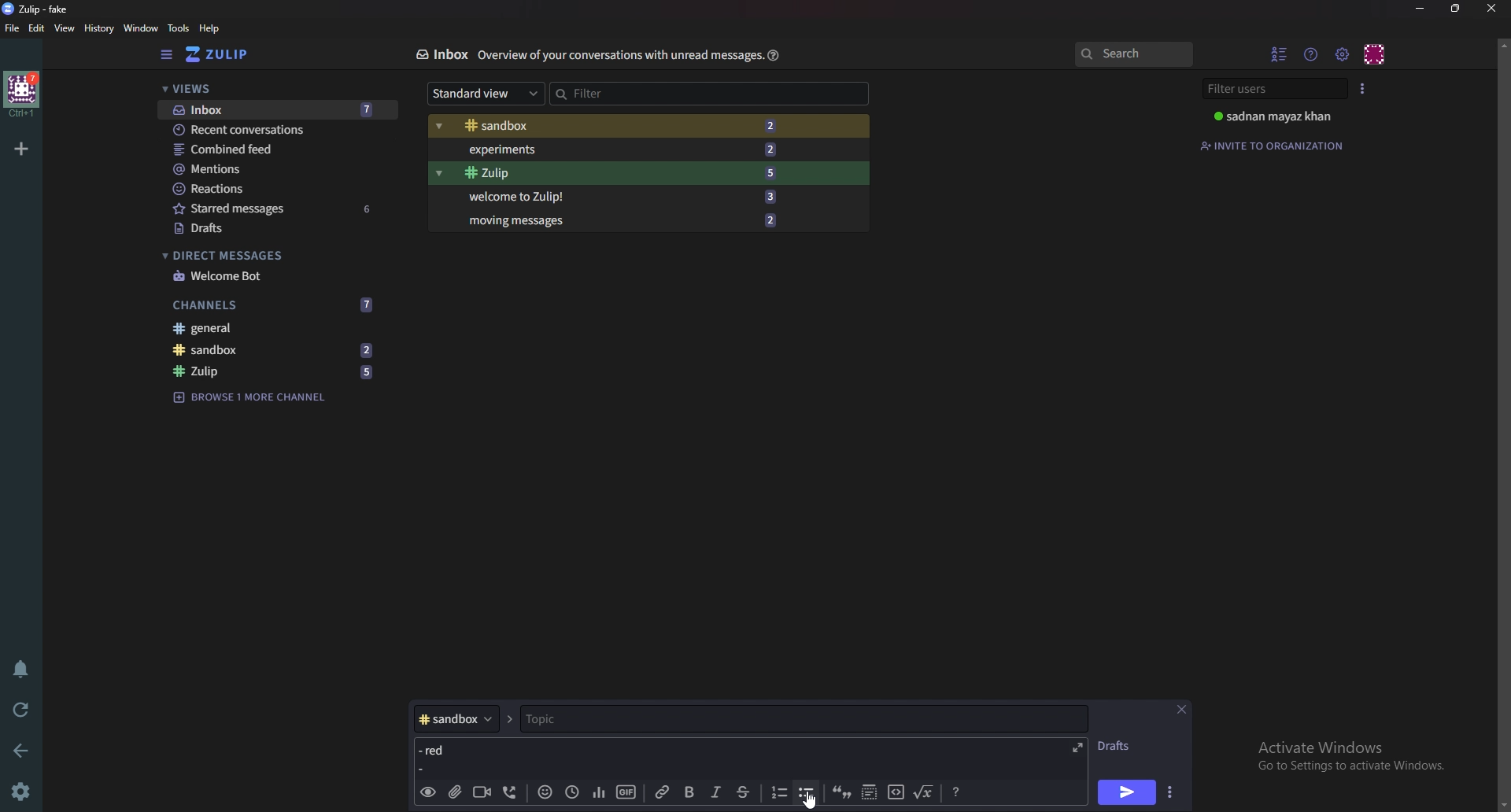 The image size is (1511, 812). I want to click on Scroll bar, so click(1502, 424).